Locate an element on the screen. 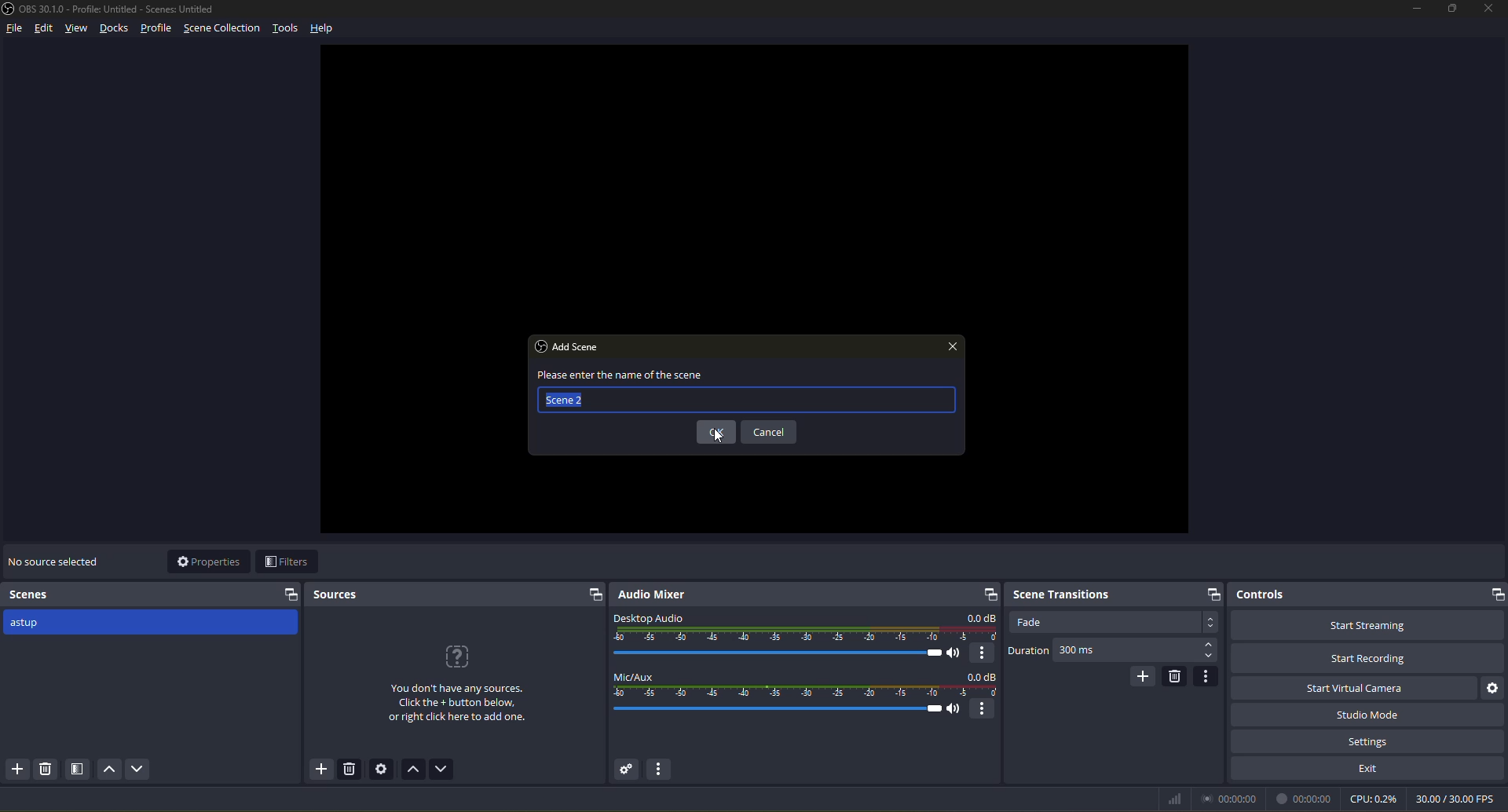  open source properties is located at coordinates (382, 768).